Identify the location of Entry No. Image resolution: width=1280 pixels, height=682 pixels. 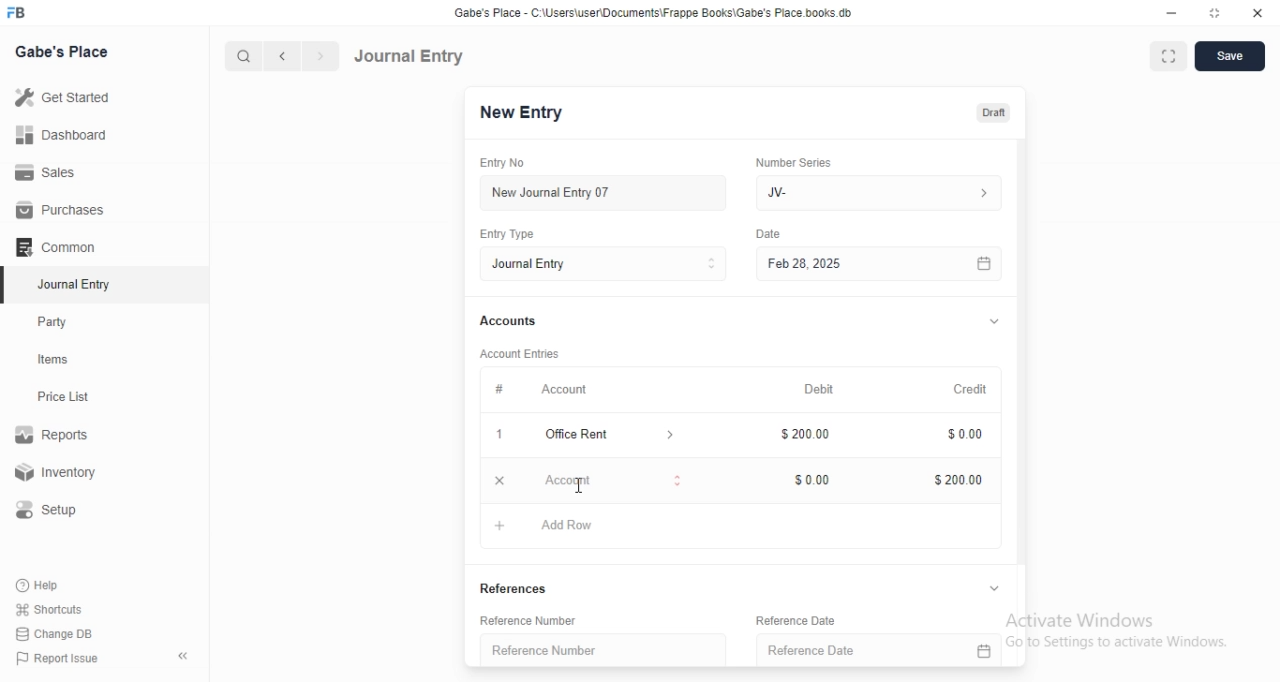
(506, 163).